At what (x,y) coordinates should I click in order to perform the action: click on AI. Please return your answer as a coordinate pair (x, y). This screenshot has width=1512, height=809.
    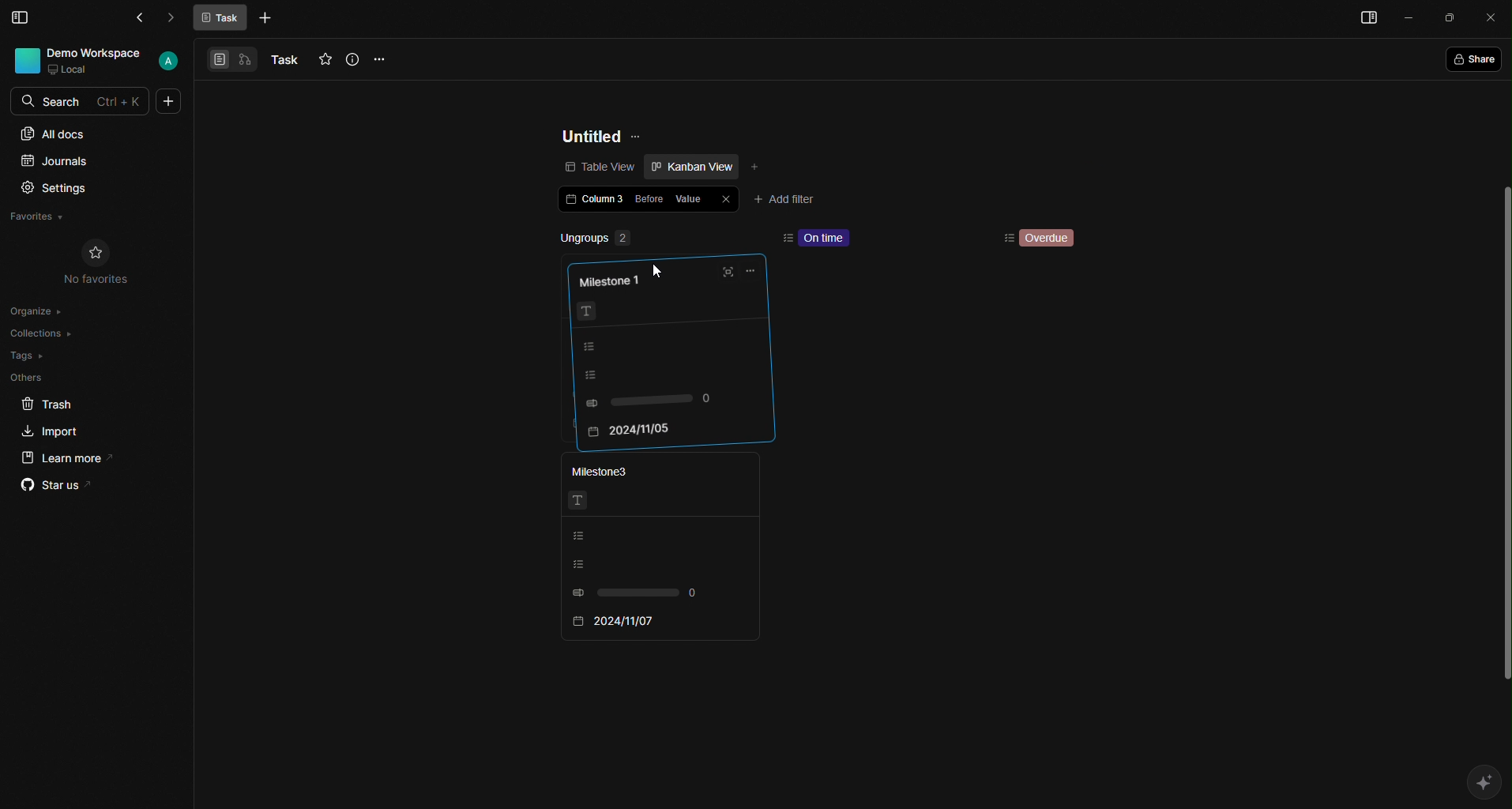
    Looking at the image, I should click on (1486, 785).